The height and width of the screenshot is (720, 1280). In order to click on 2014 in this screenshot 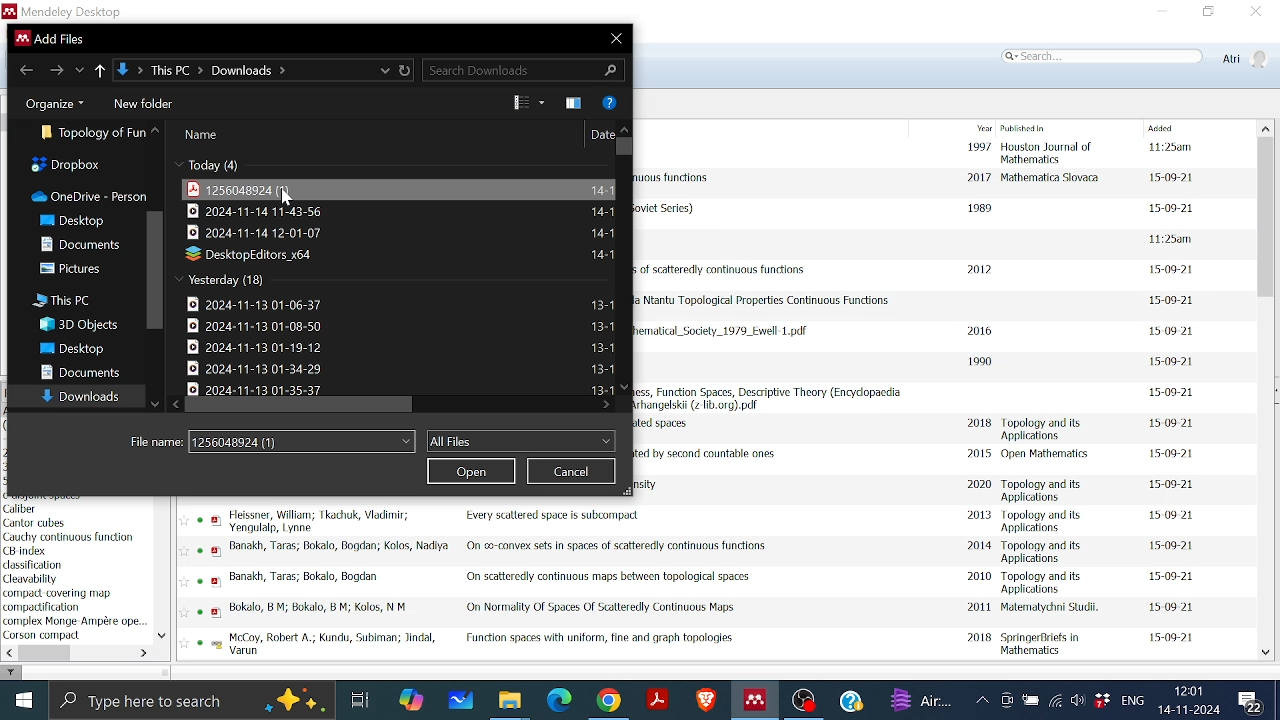, I will do `click(979, 543)`.